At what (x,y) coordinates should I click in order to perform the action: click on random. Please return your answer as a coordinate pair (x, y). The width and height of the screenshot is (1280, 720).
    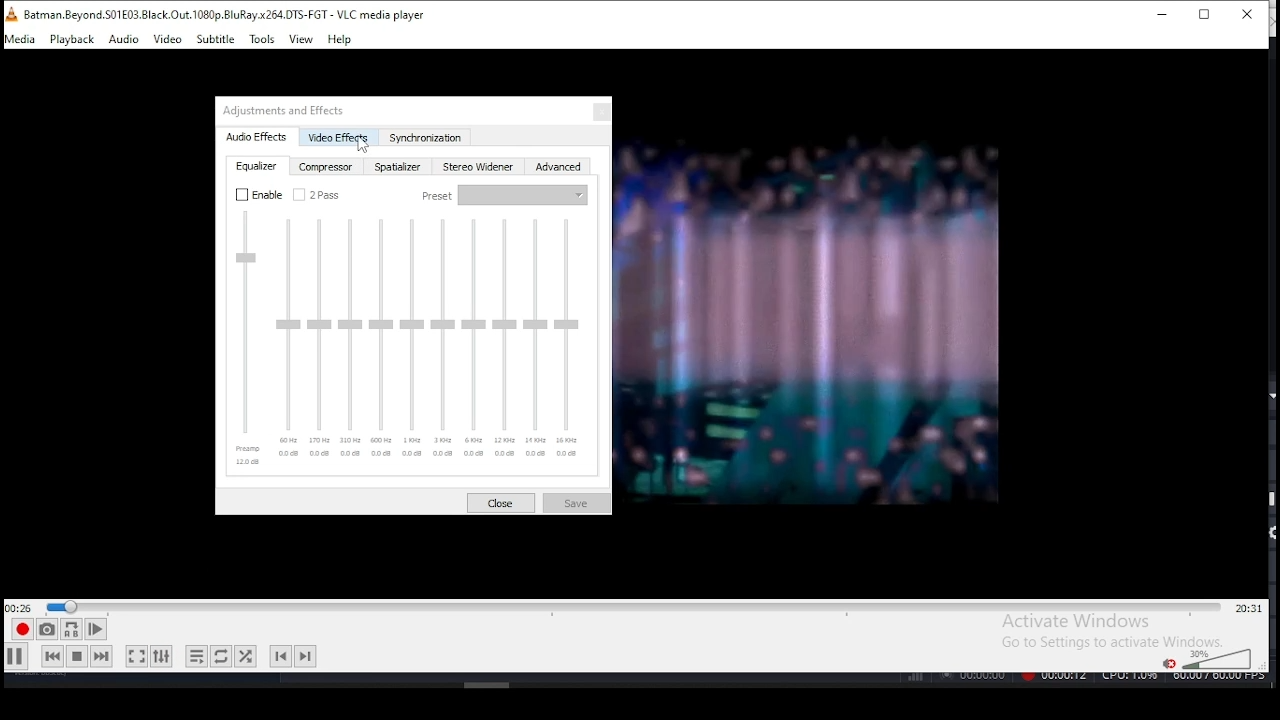
    Looking at the image, I should click on (246, 655).